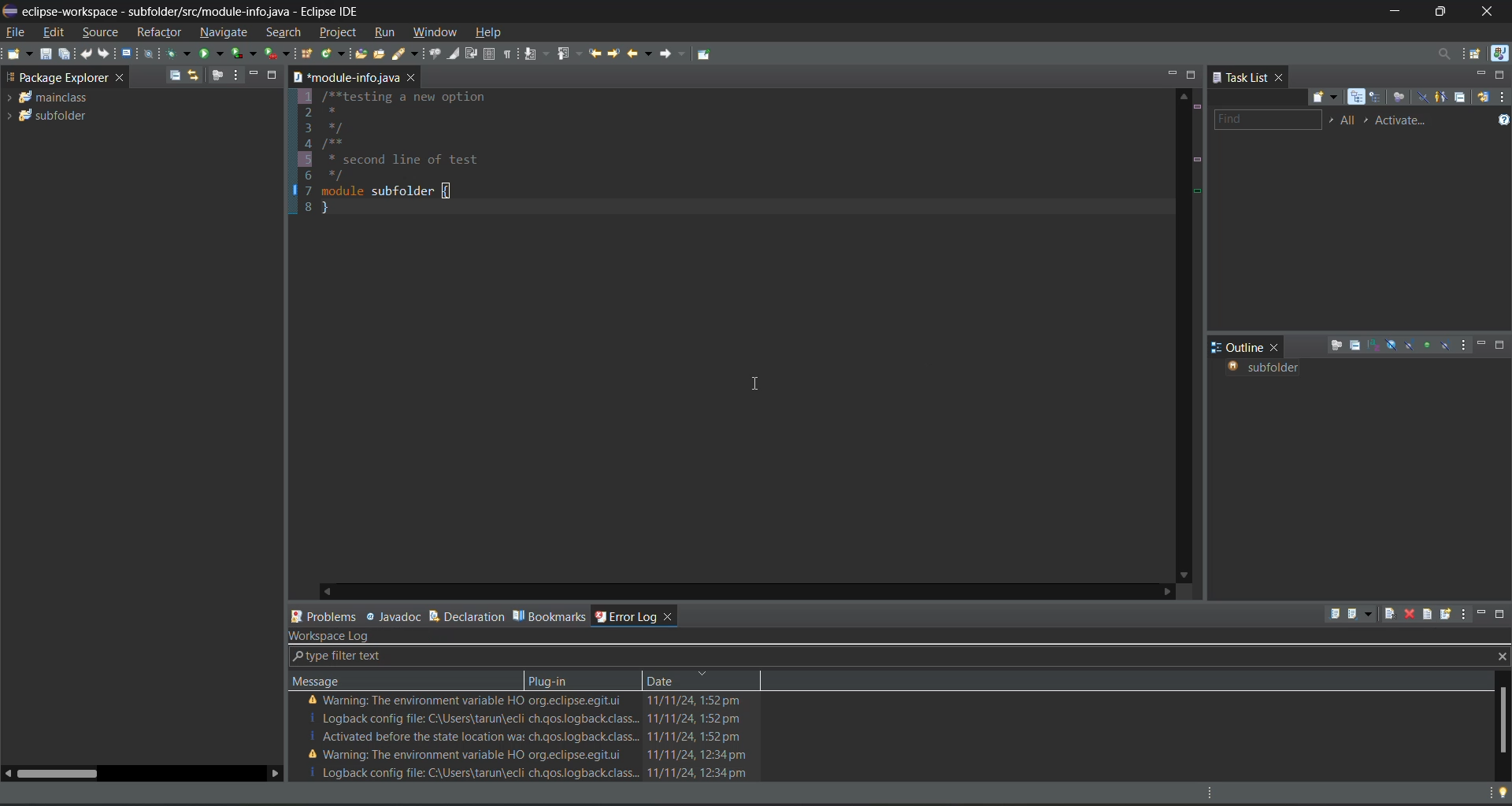 This screenshot has width=1512, height=806. Describe the element at coordinates (47, 54) in the screenshot. I see `save` at that location.